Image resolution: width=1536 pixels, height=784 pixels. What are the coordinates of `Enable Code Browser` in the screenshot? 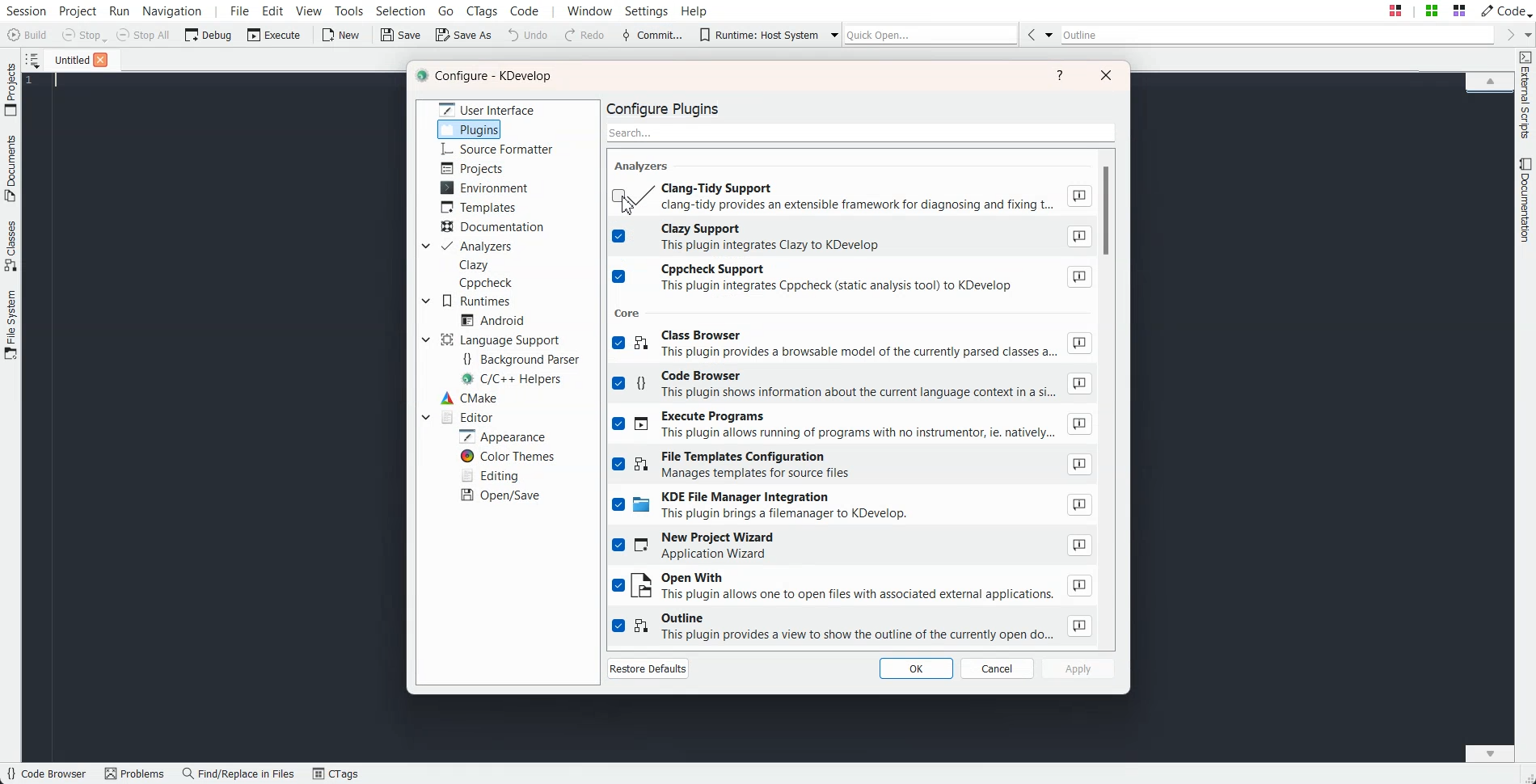 It's located at (852, 386).